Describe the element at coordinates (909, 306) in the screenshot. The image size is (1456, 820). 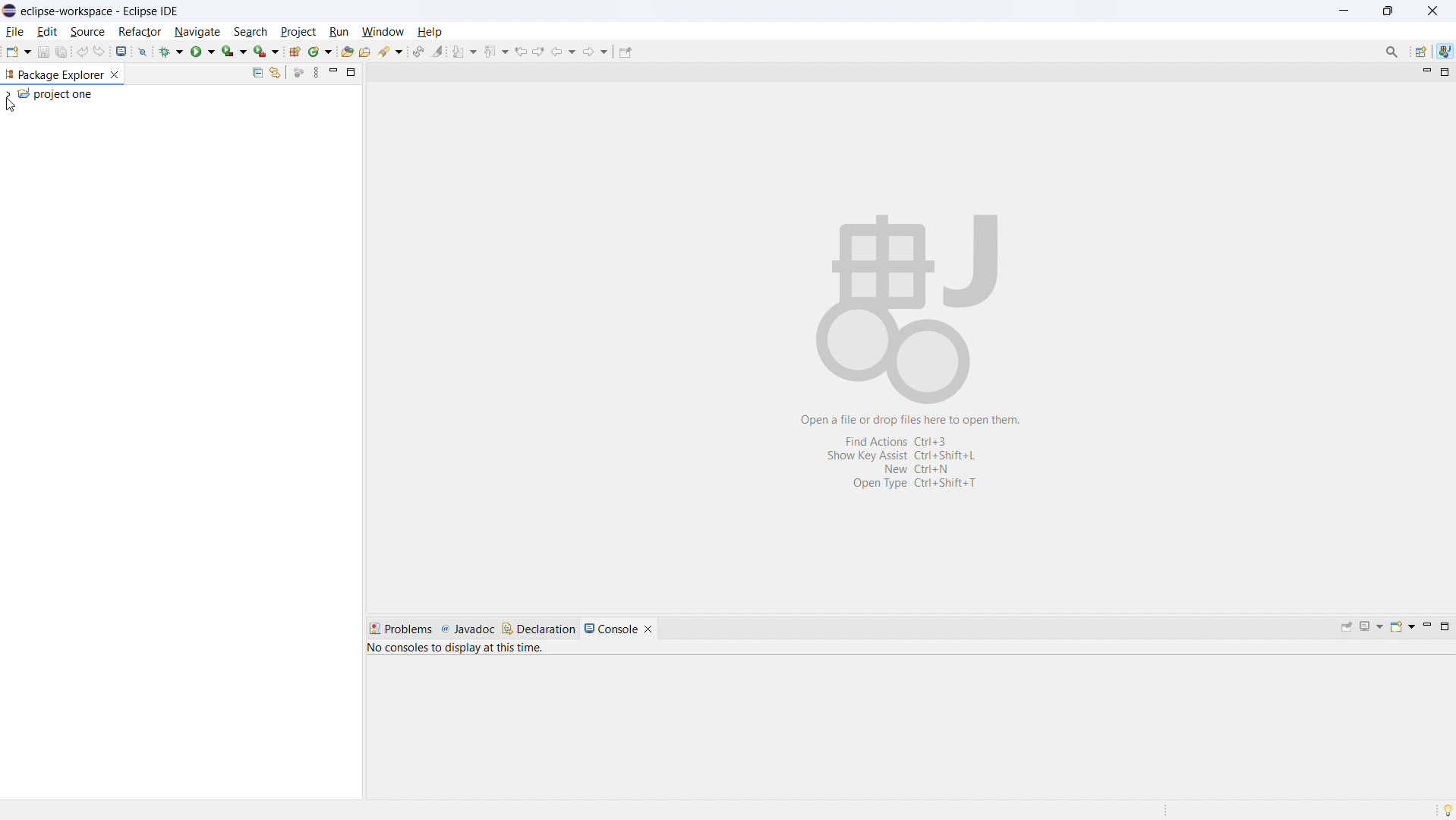
I see `Workspace logo` at that location.